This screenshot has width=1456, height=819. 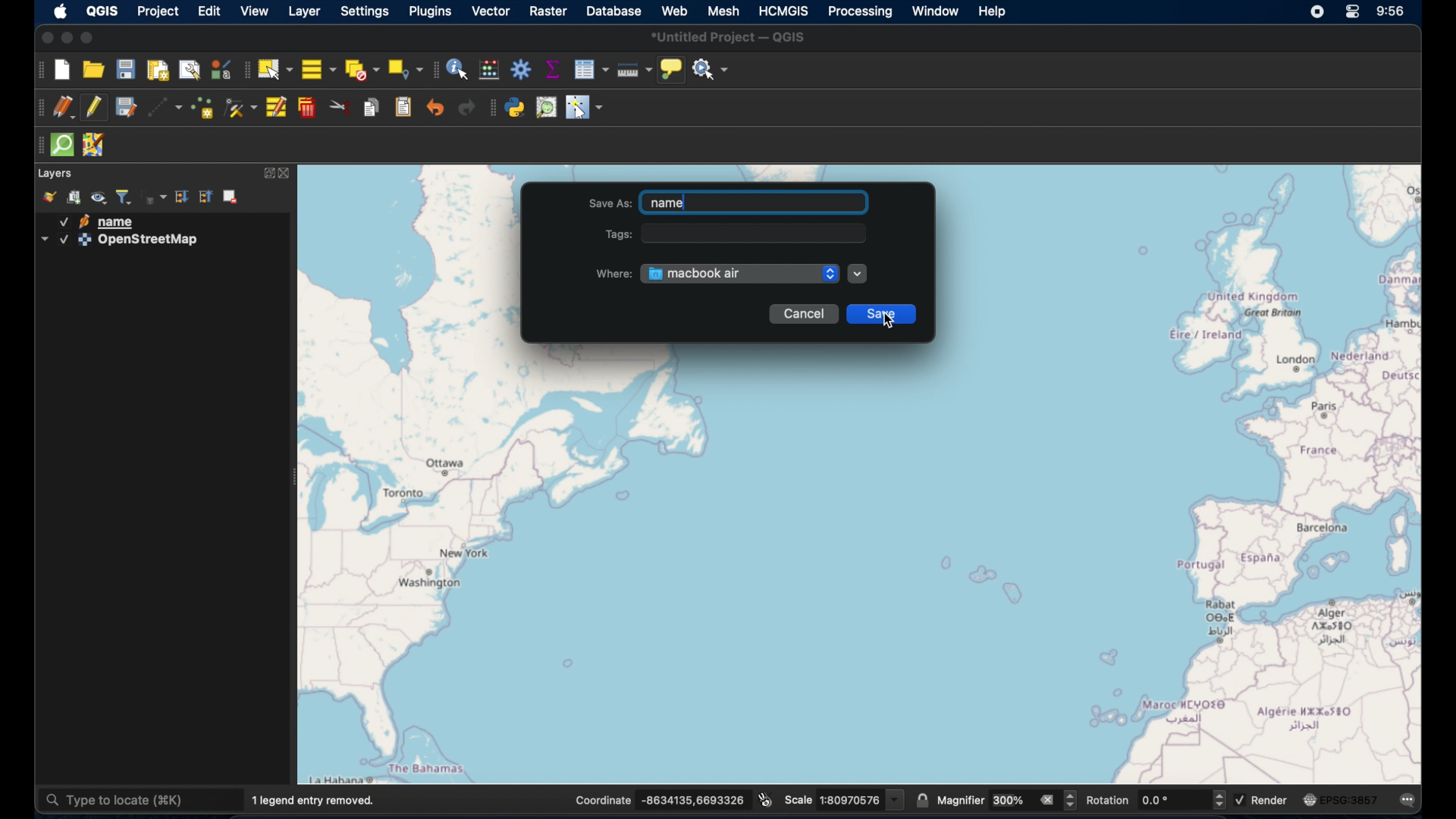 I want to click on filter layer, so click(x=124, y=196).